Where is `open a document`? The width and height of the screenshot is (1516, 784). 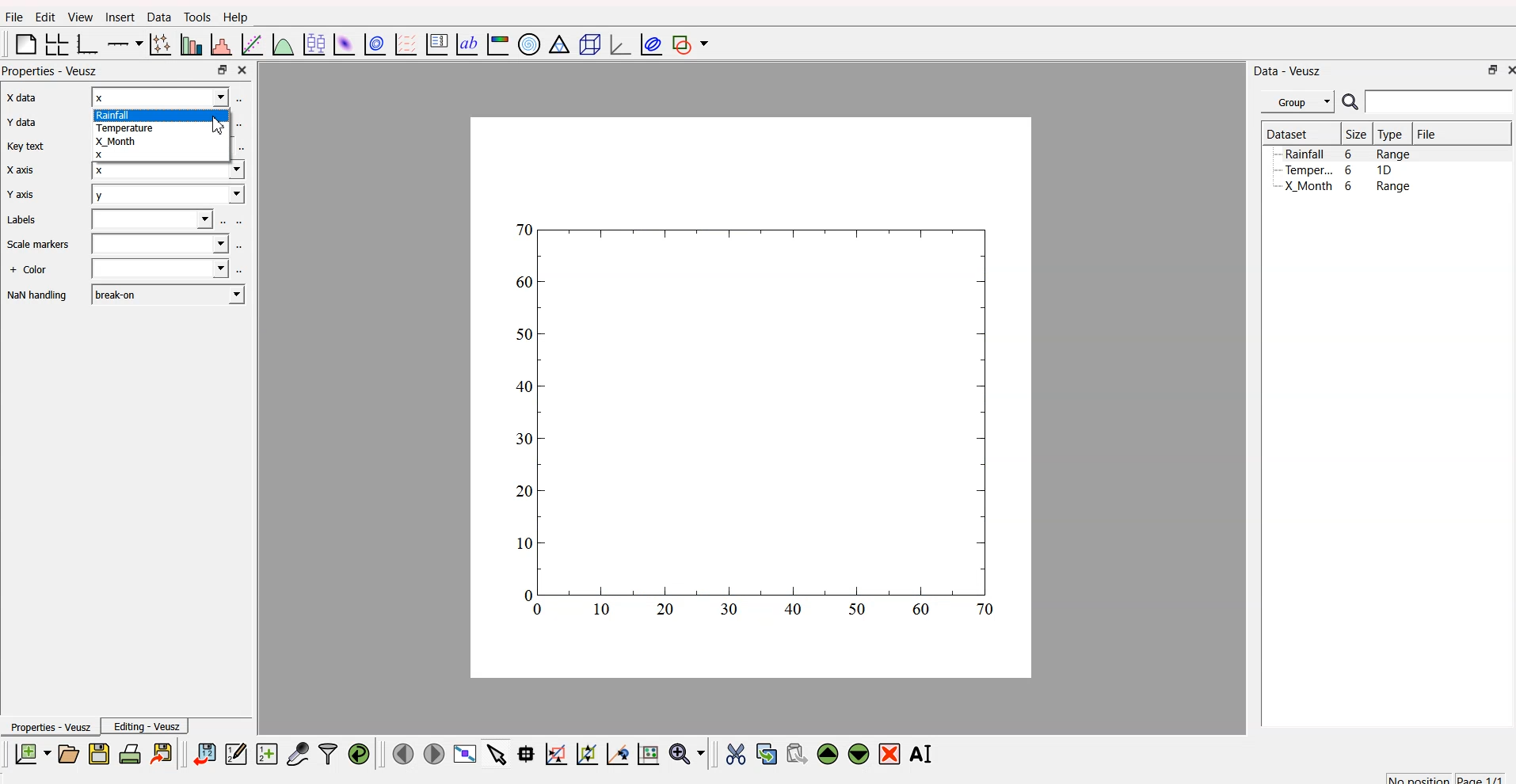
open a document is located at coordinates (67, 752).